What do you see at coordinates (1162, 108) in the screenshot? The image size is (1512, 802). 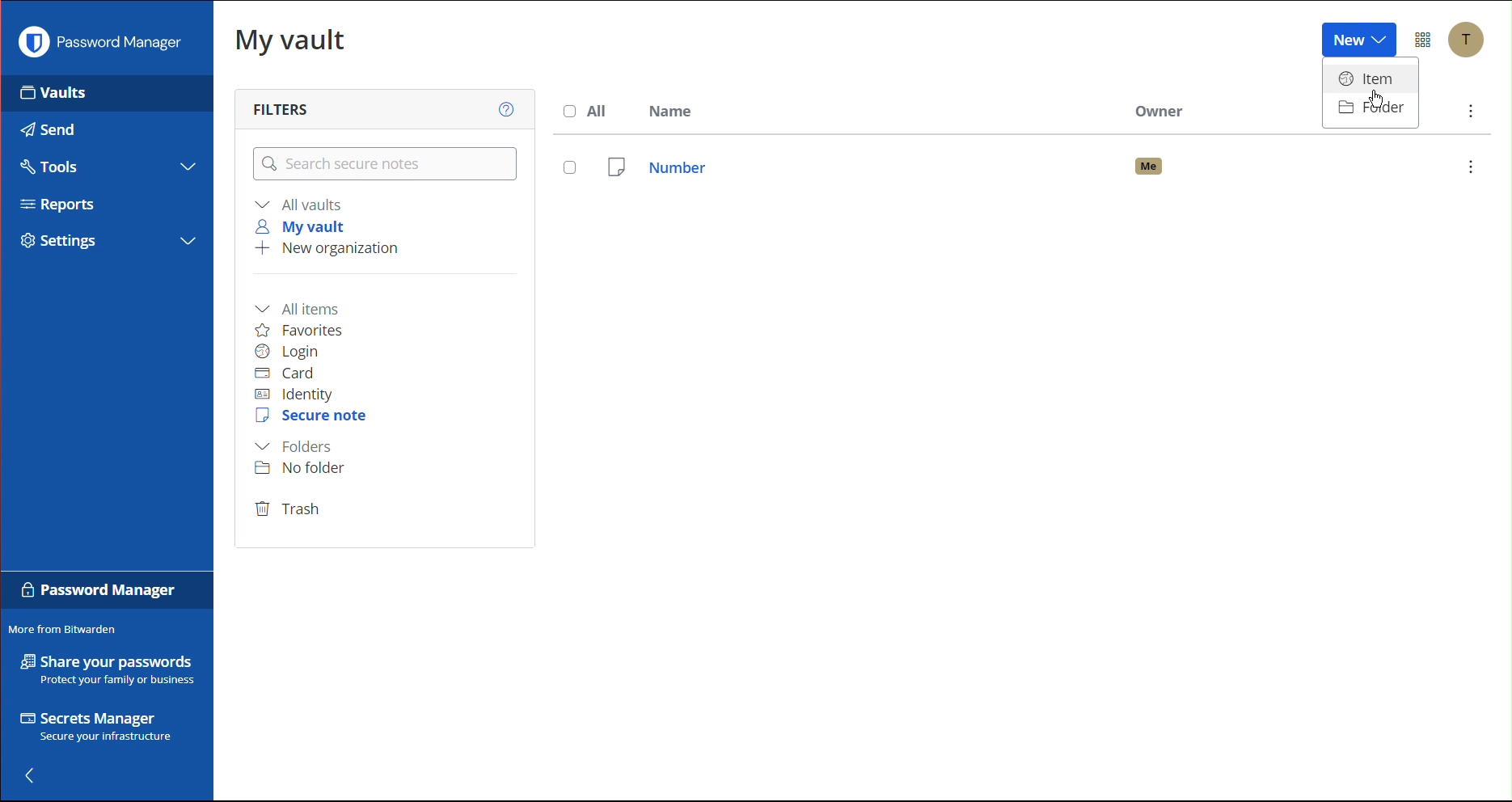 I see `Owner` at bounding box center [1162, 108].